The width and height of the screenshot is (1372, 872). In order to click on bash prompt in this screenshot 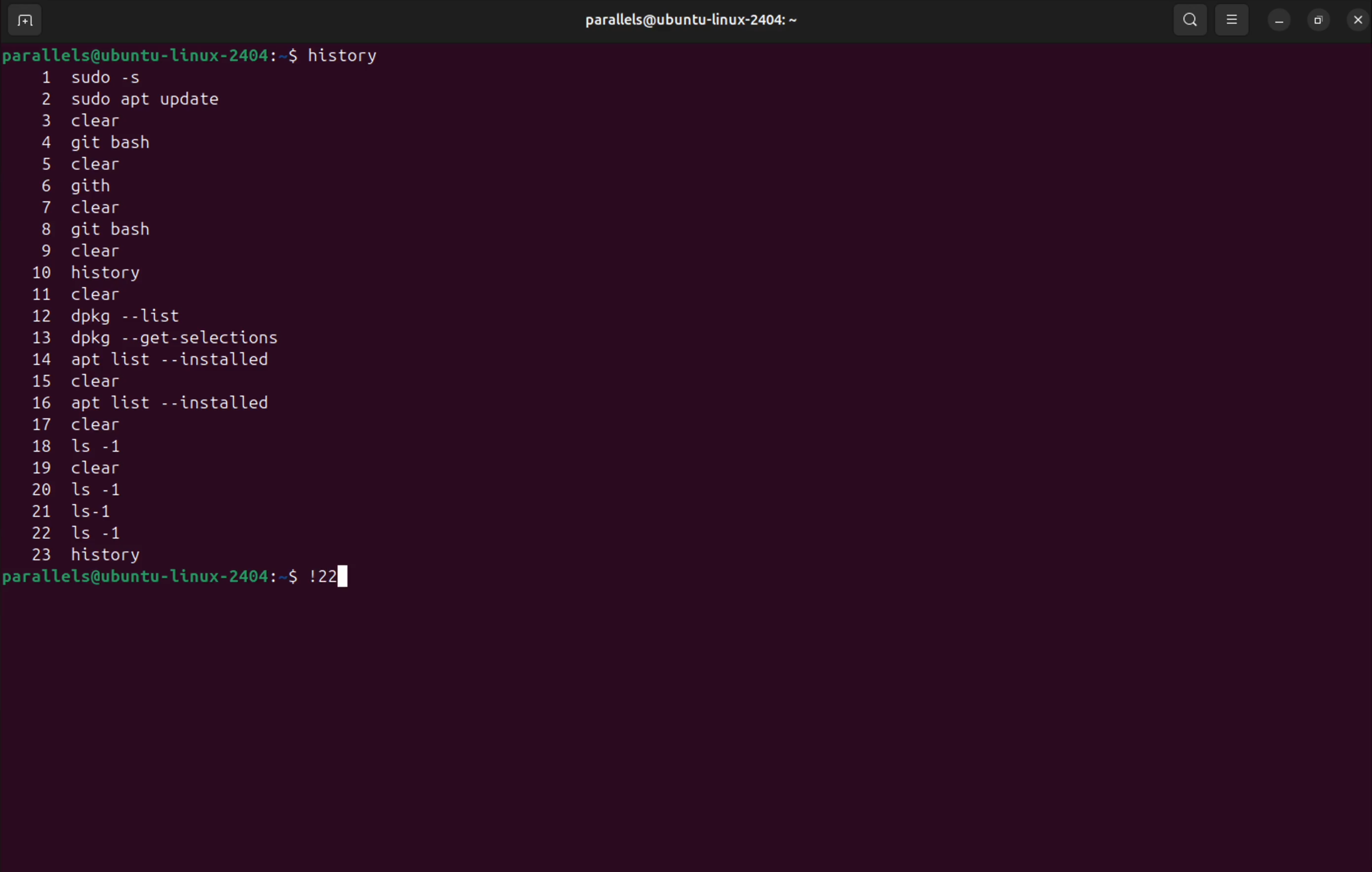, I will do `click(150, 578)`.